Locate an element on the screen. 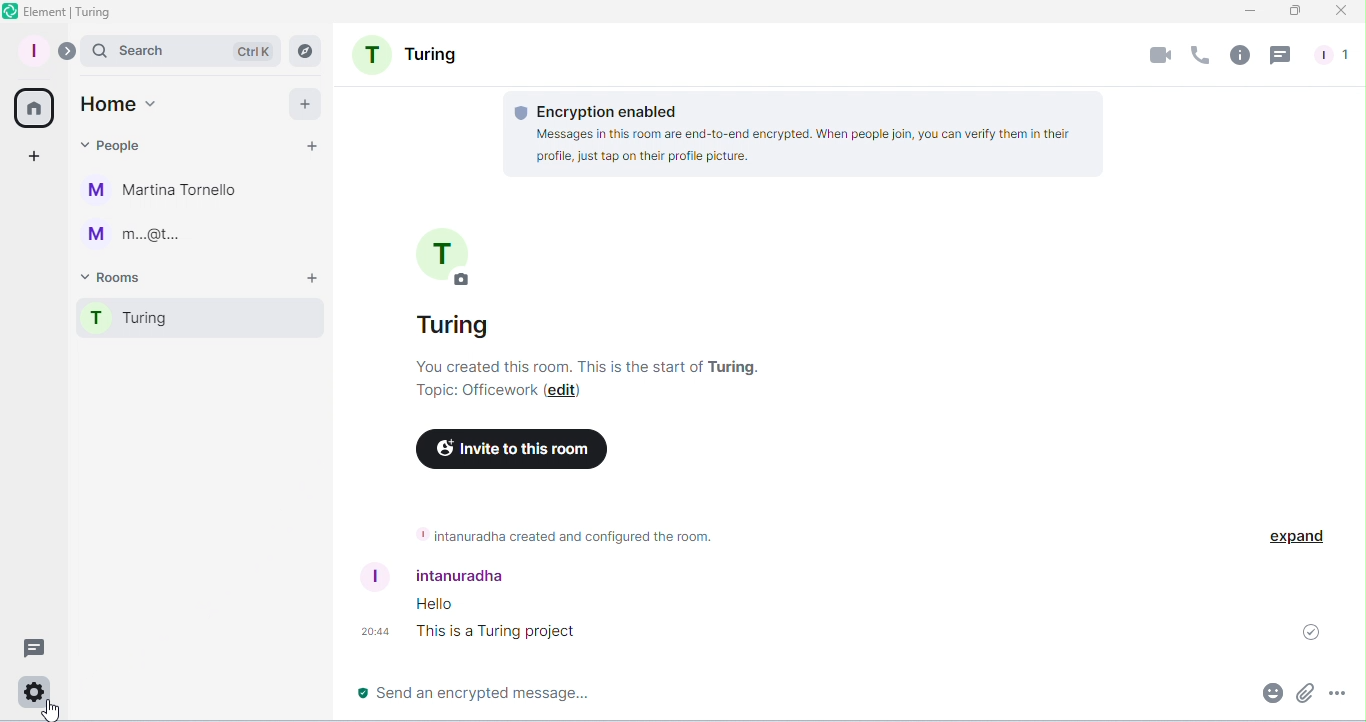 This screenshot has height=722, width=1366. Add is located at coordinates (307, 103).